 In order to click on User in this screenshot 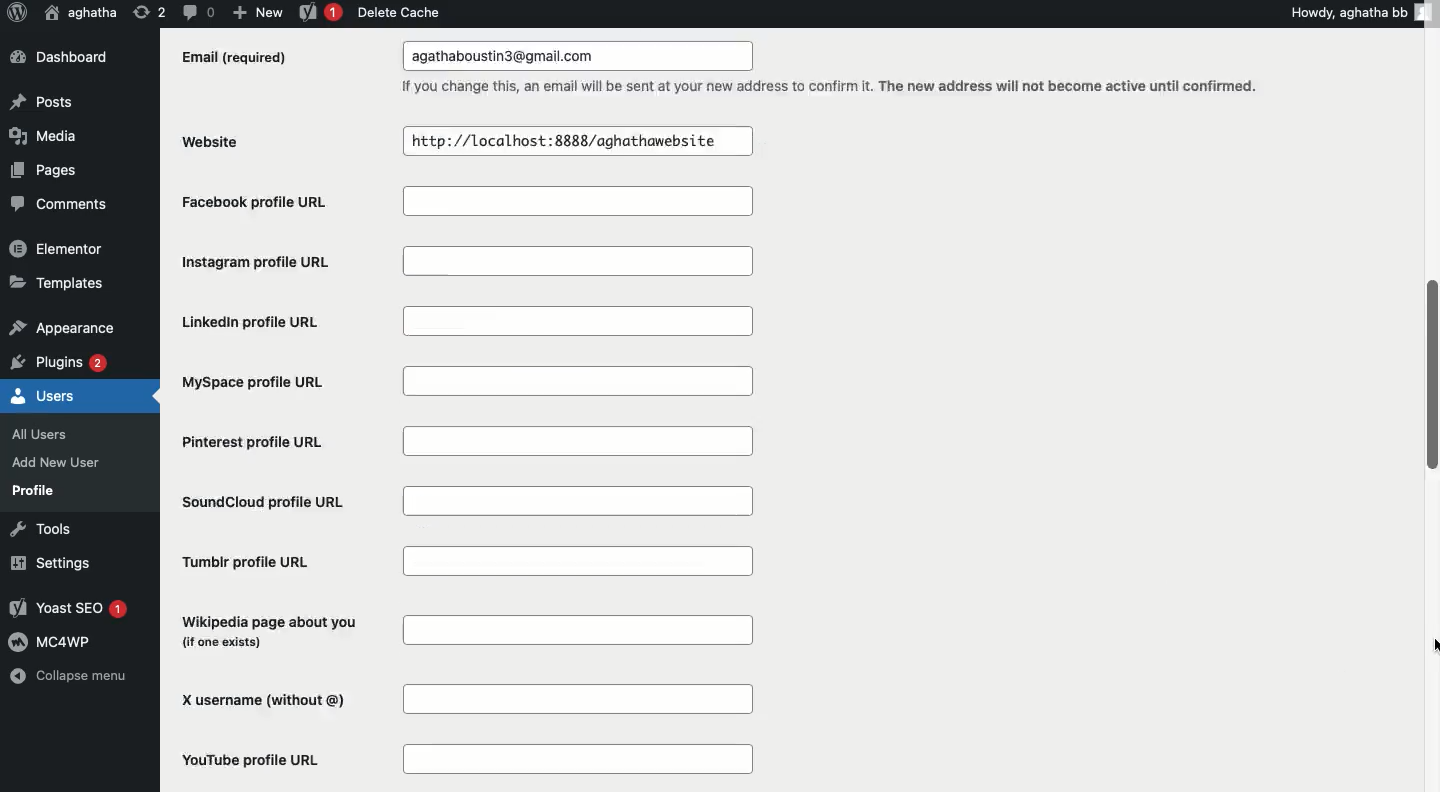, I will do `click(82, 12)`.